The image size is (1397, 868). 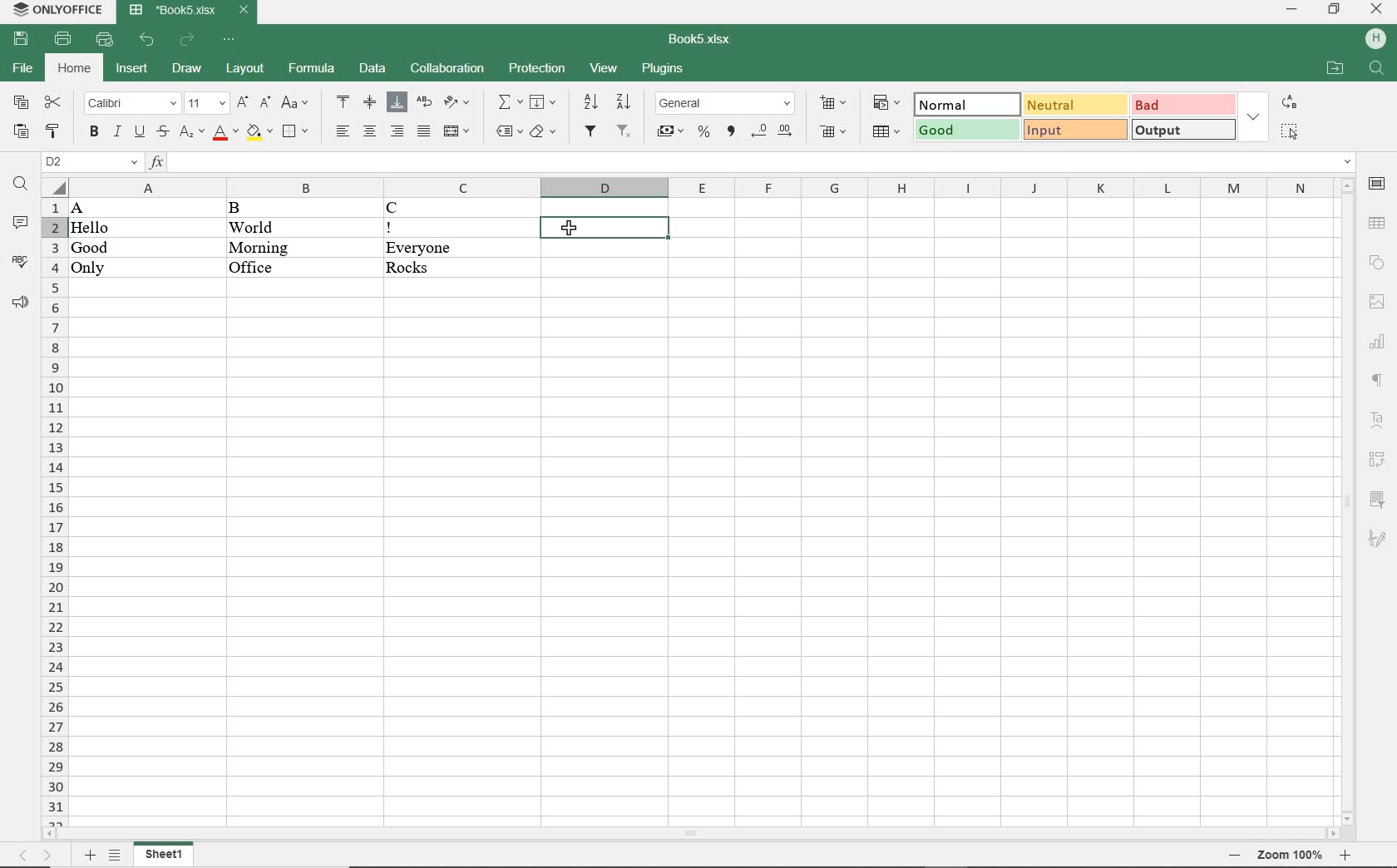 What do you see at coordinates (533, 67) in the screenshot?
I see `PROTECTION` at bounding box center [533, 67].